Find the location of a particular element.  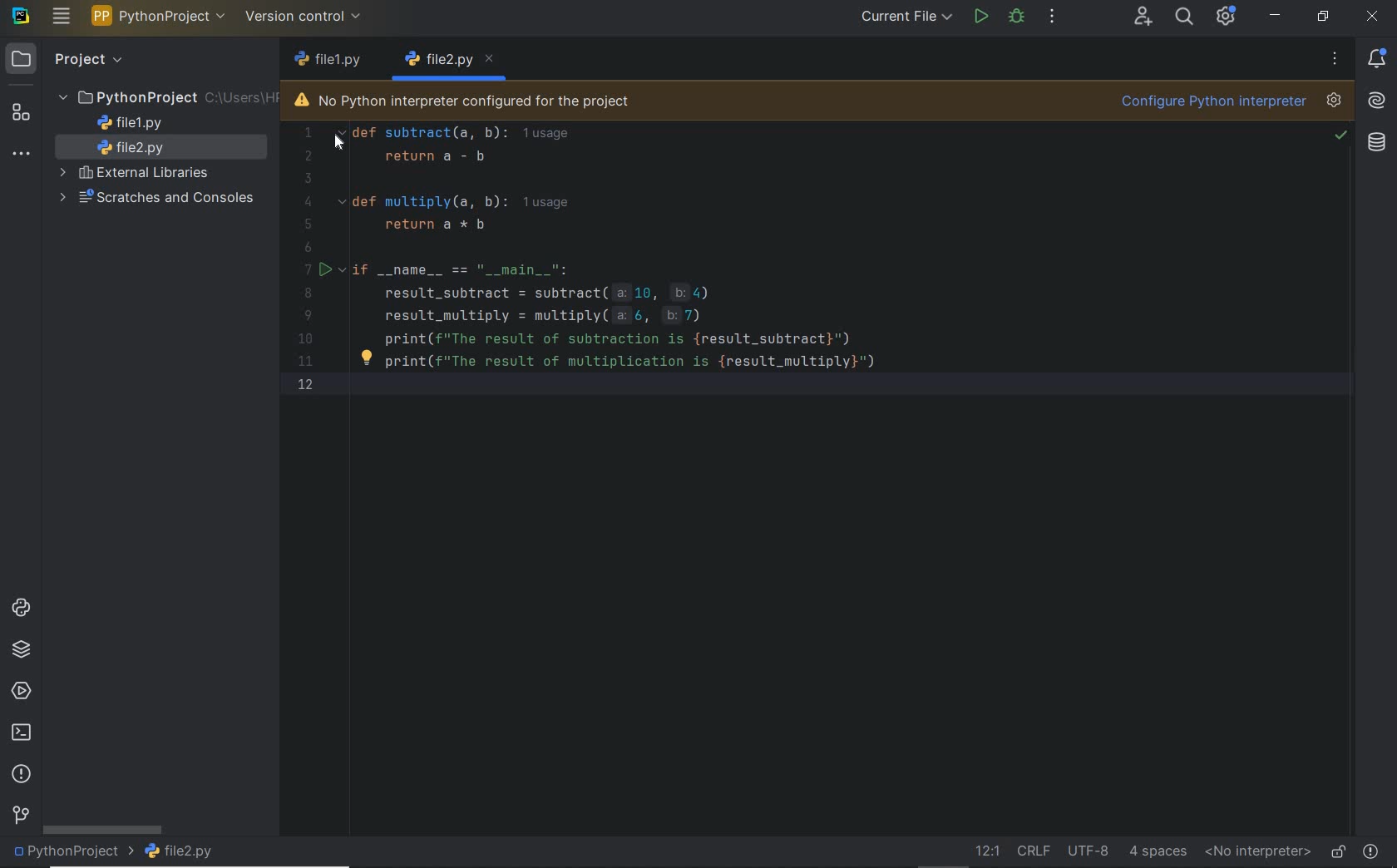

minimize is located at coordinates (1275, 16).